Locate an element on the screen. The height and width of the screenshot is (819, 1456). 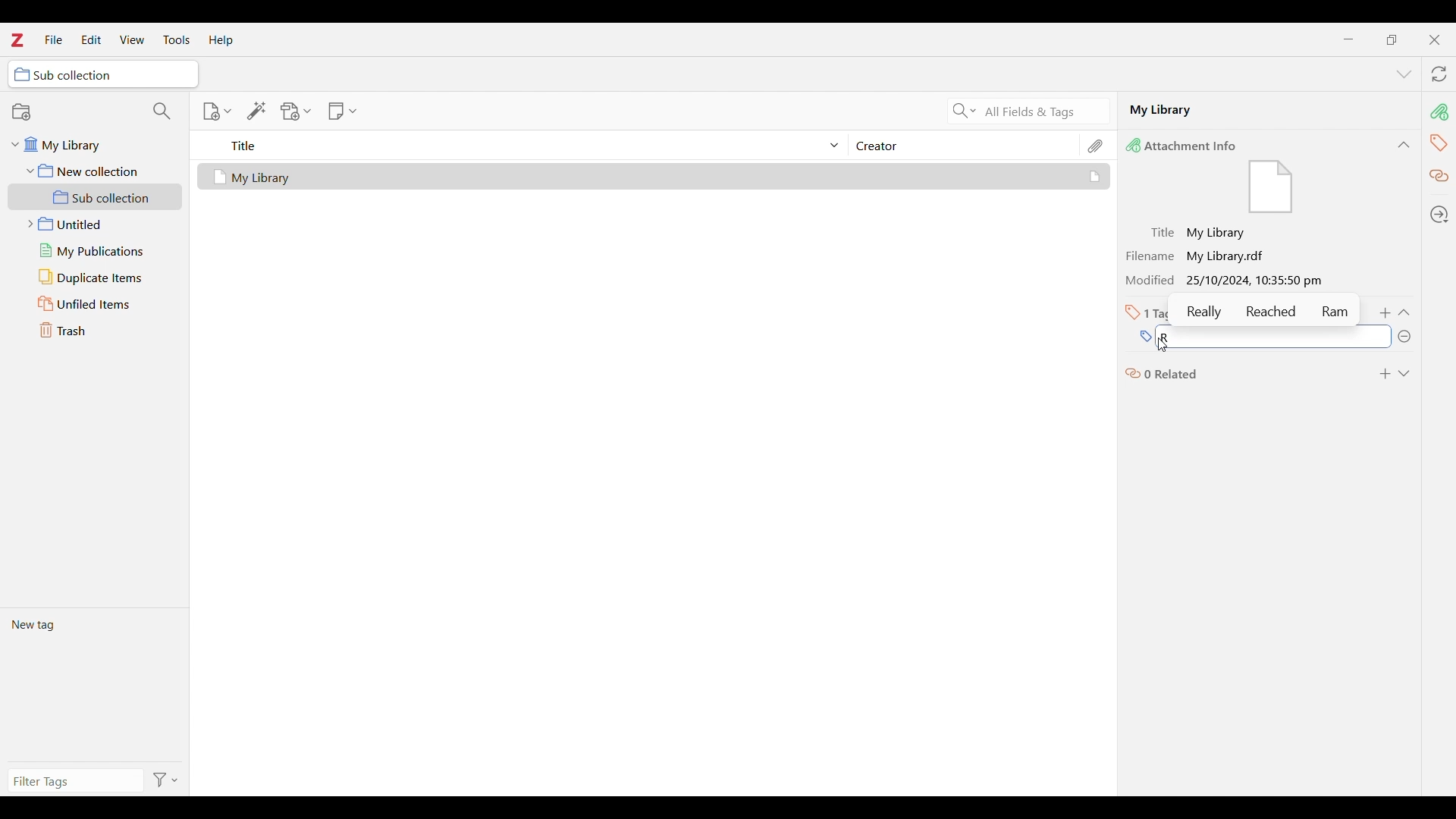
List all tabs is located at coordinates (1404, 75).